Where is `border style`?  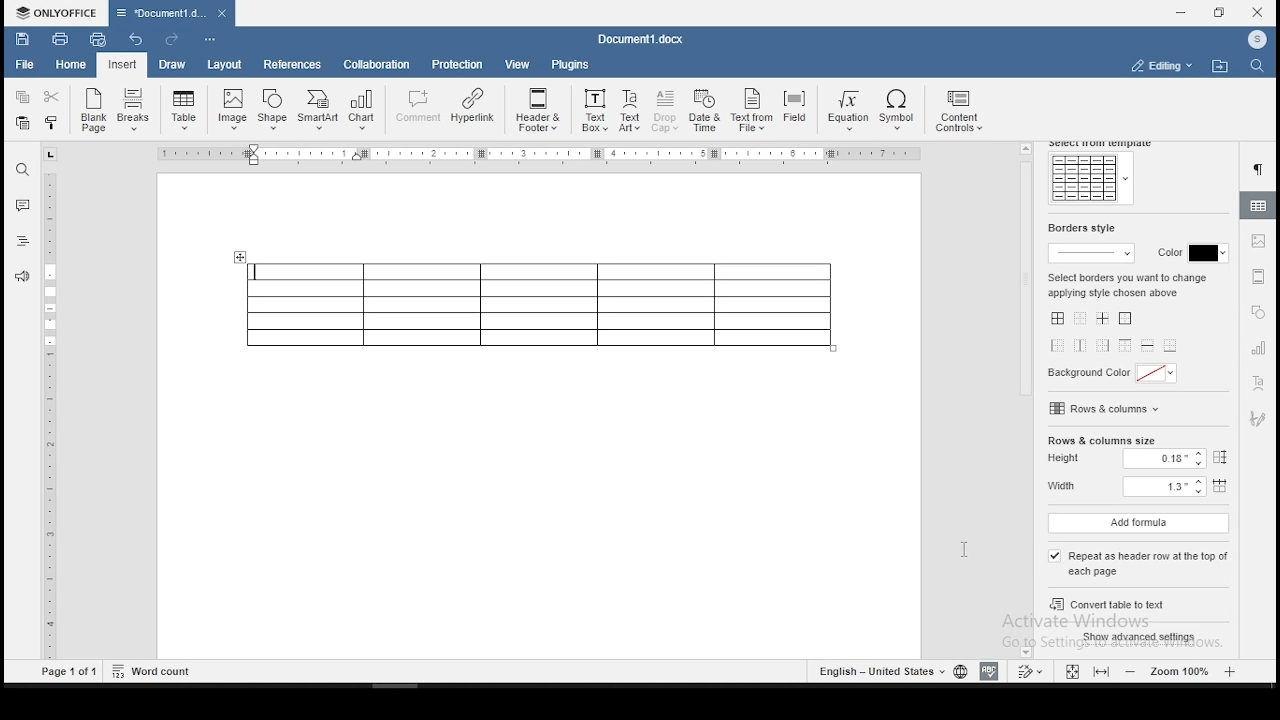 border style is located at coordinates (1079, 228).